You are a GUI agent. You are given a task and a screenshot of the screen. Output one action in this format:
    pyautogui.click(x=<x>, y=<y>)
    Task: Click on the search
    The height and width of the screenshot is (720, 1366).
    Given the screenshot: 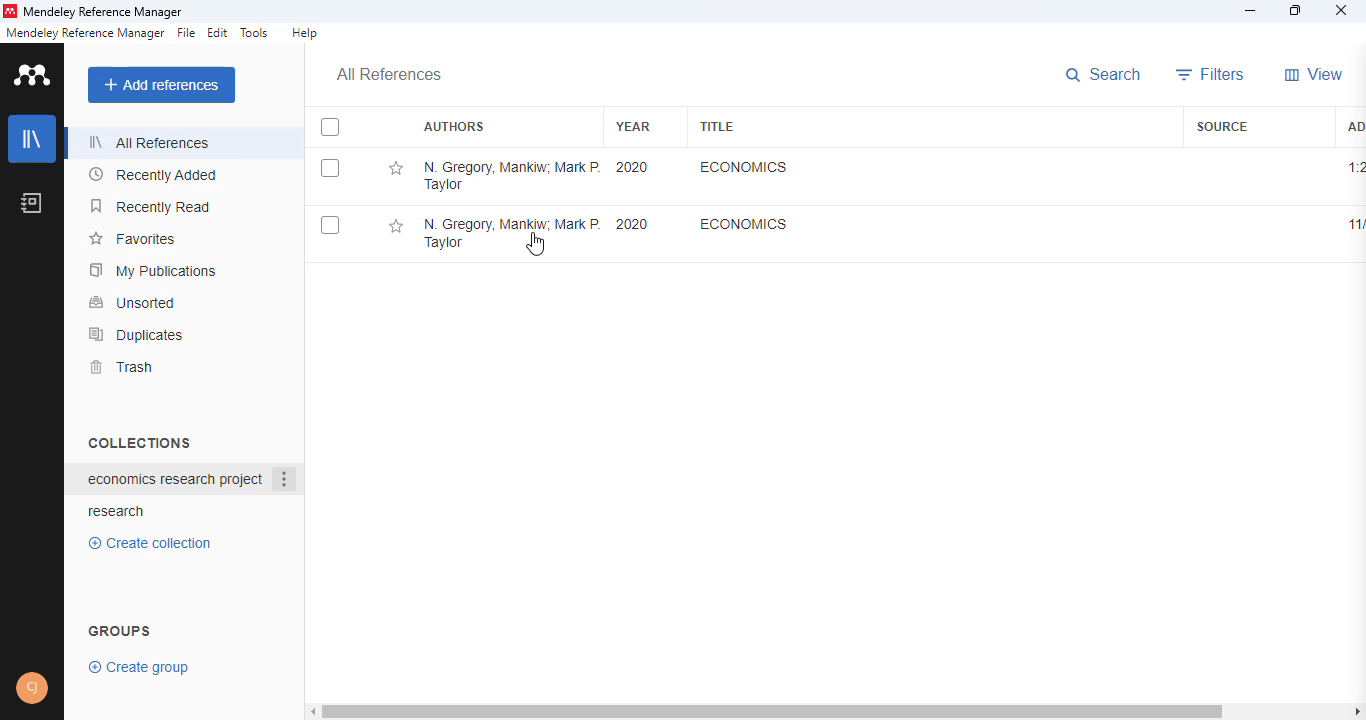 What is the action you would take?
    pyautogui.click(x=1106, y=76)
    